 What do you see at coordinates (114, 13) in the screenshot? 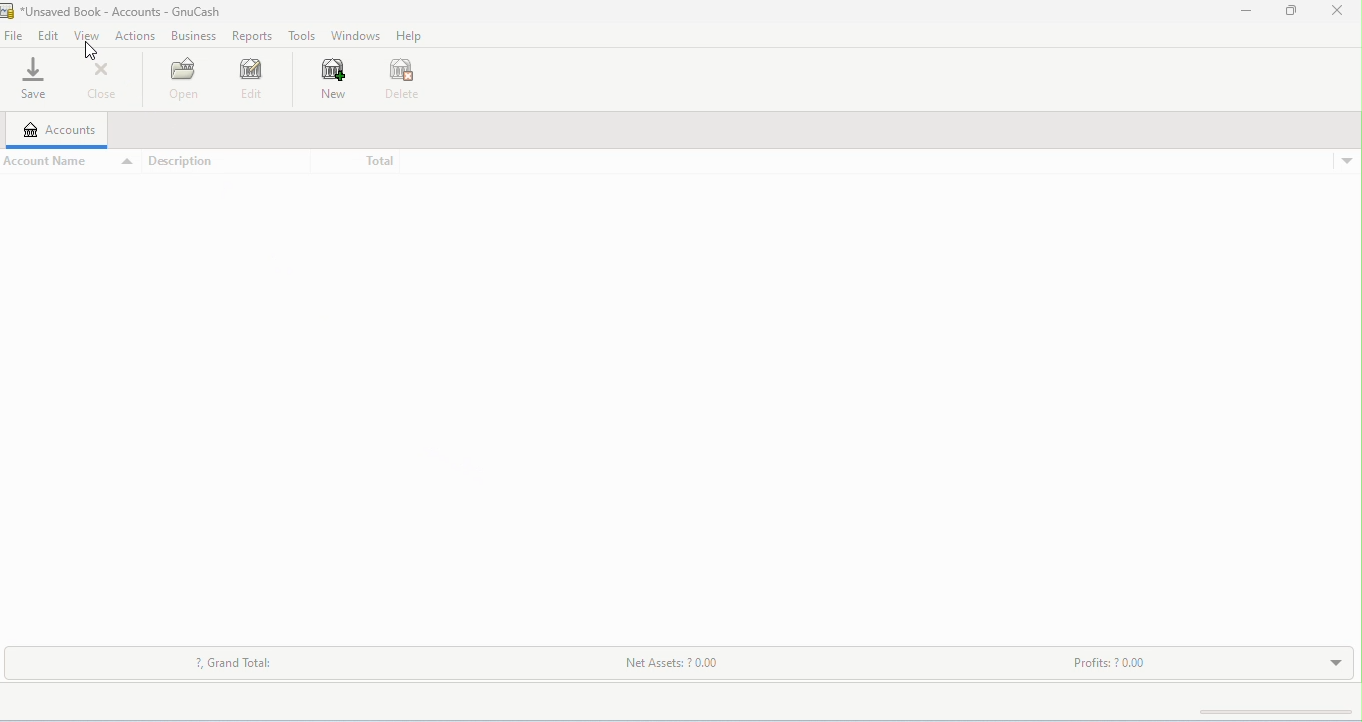
I see `title` at bounding box center [114, 13].